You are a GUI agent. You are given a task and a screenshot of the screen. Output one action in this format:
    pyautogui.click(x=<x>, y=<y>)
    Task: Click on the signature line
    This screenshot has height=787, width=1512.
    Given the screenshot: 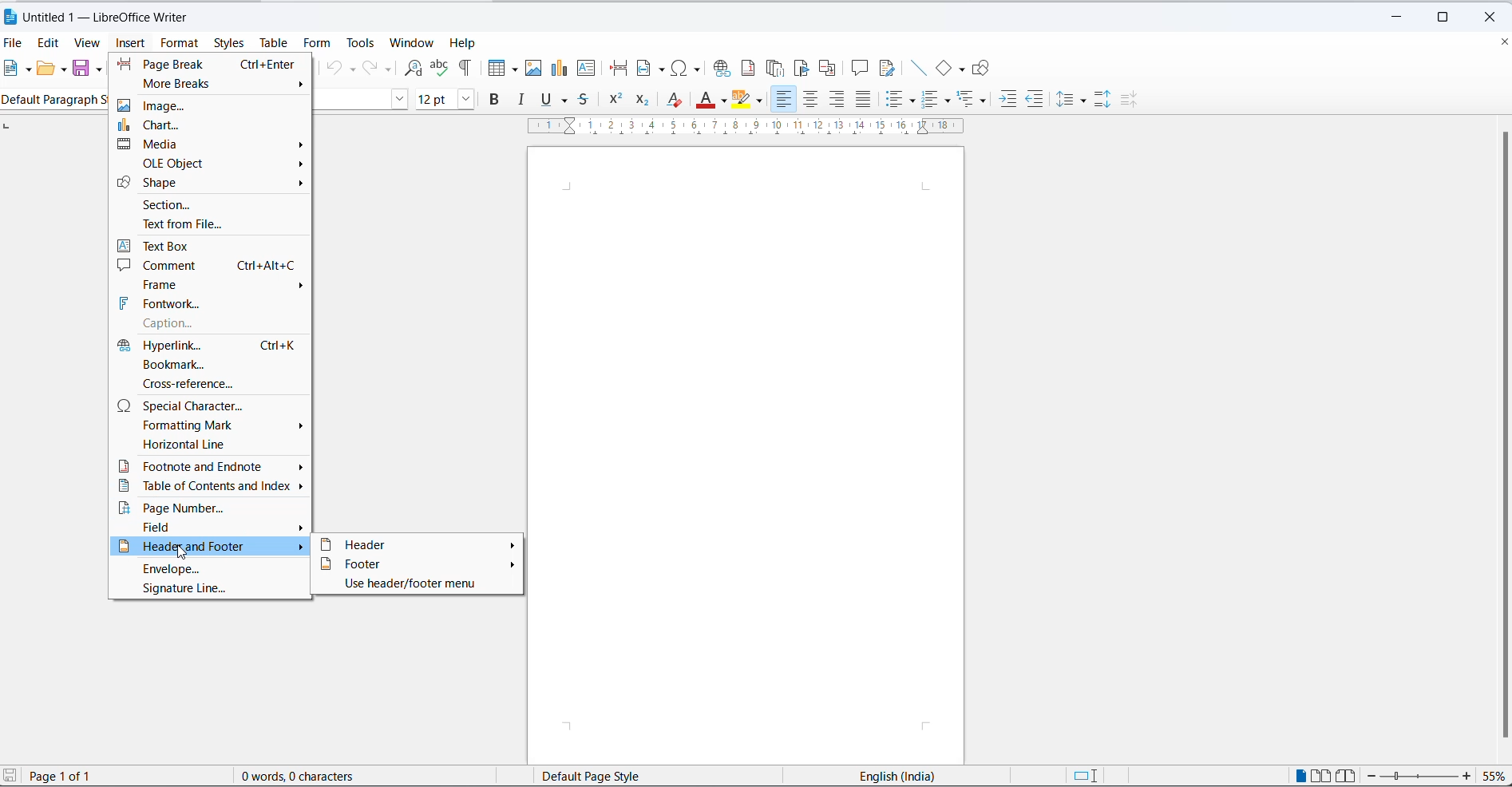 What is the action you would take?
    pyautogui.click(x=212, y=590)
    